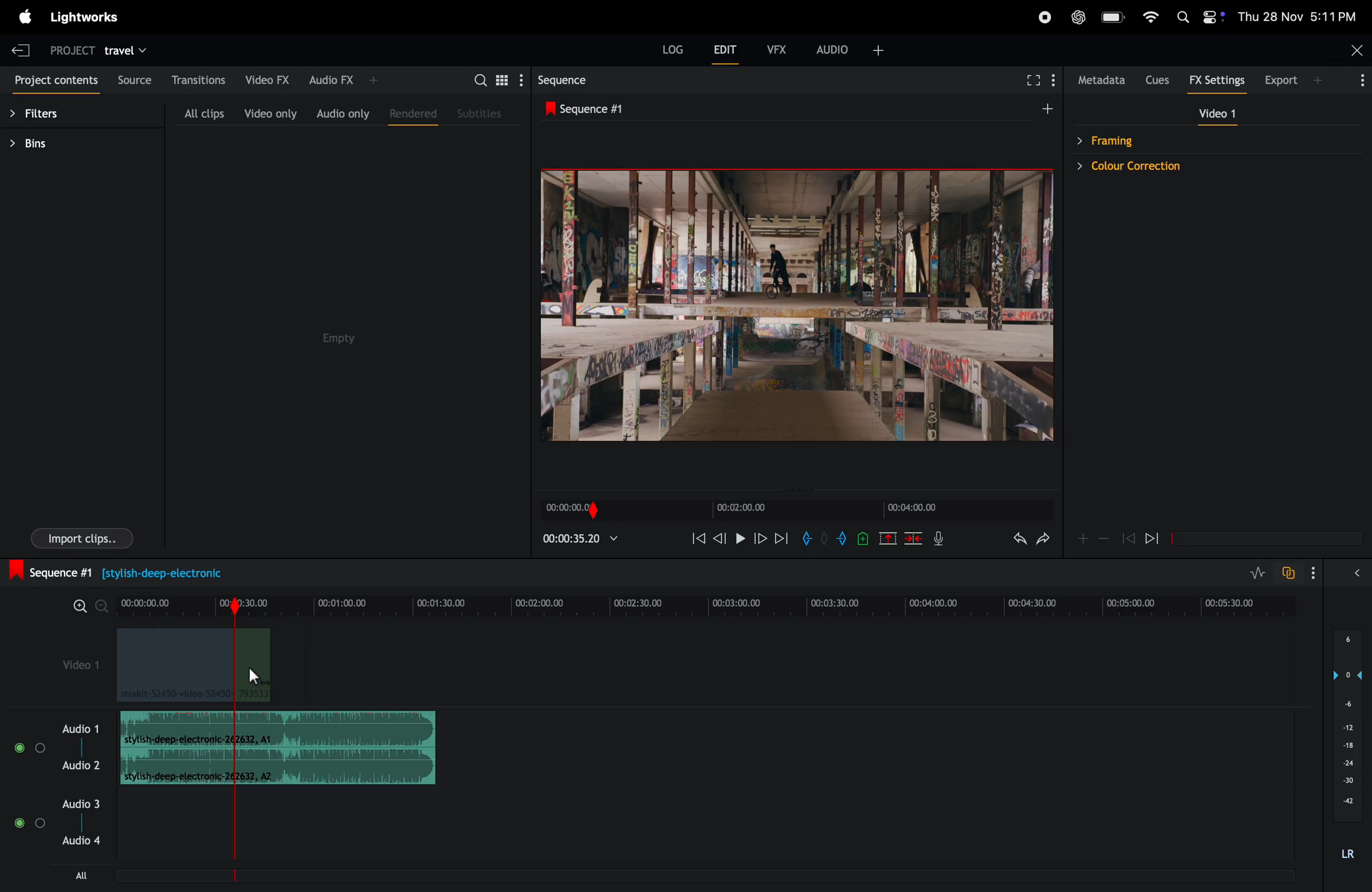 Image resolution: width=1372 pixels, height=892 pixels. I want to click on transitions, so click(201, 80).